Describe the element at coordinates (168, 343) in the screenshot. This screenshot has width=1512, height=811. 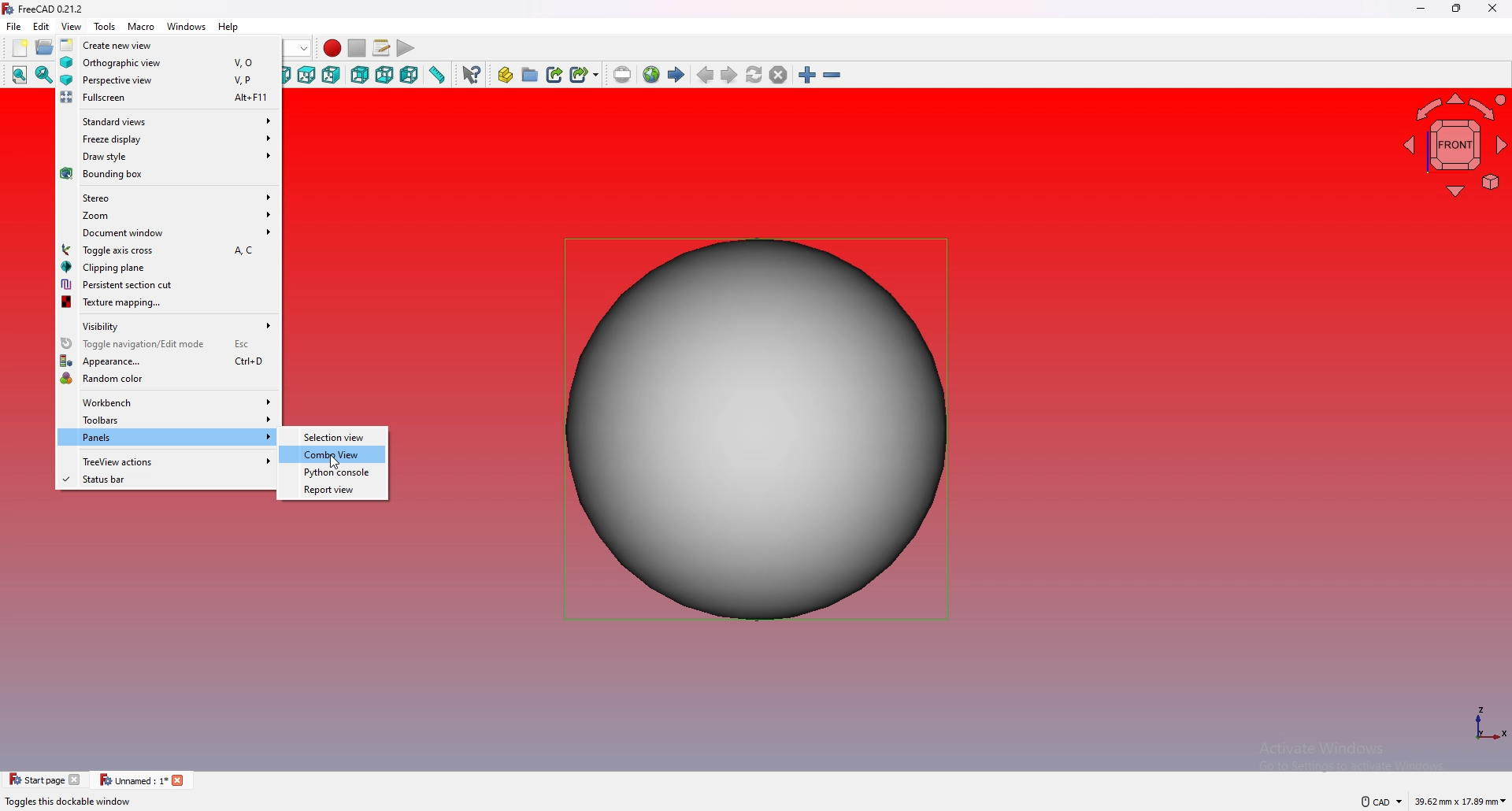
I see `toggle navigation` at that location.